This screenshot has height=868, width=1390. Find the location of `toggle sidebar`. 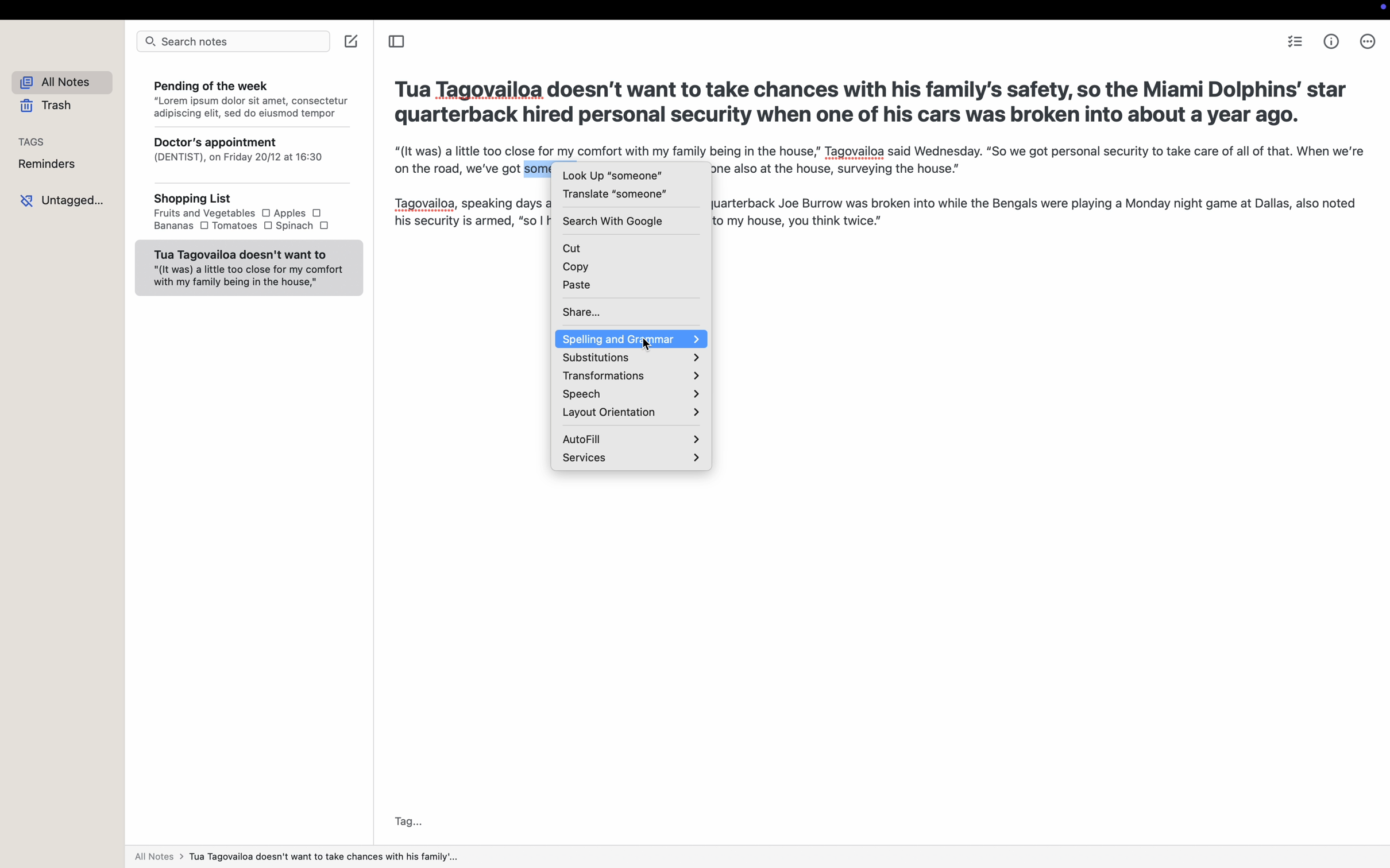

toggle sidebar is located at coordinates (396, 43).